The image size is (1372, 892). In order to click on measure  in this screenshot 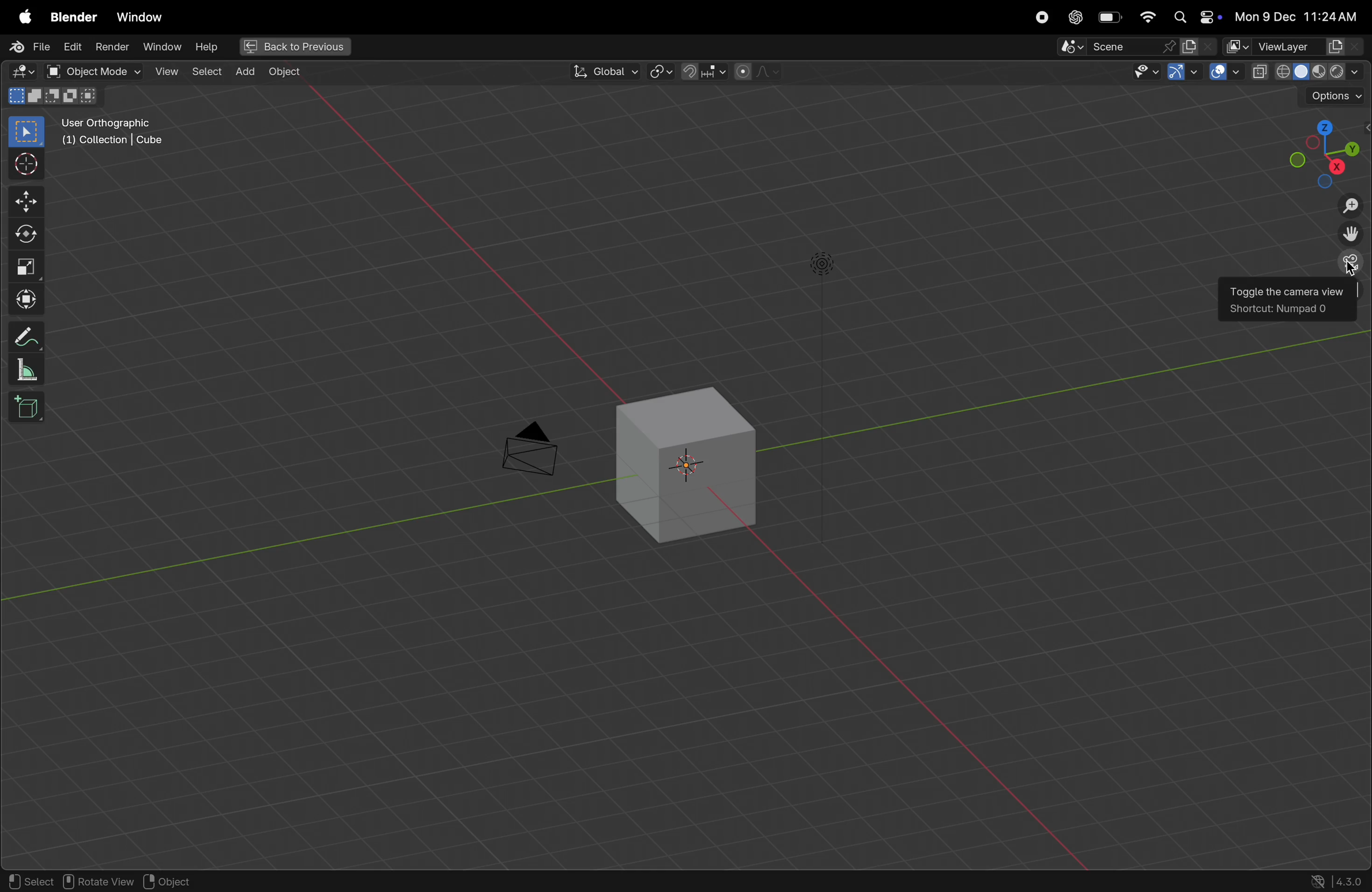, I will do `click(29, 373)`.